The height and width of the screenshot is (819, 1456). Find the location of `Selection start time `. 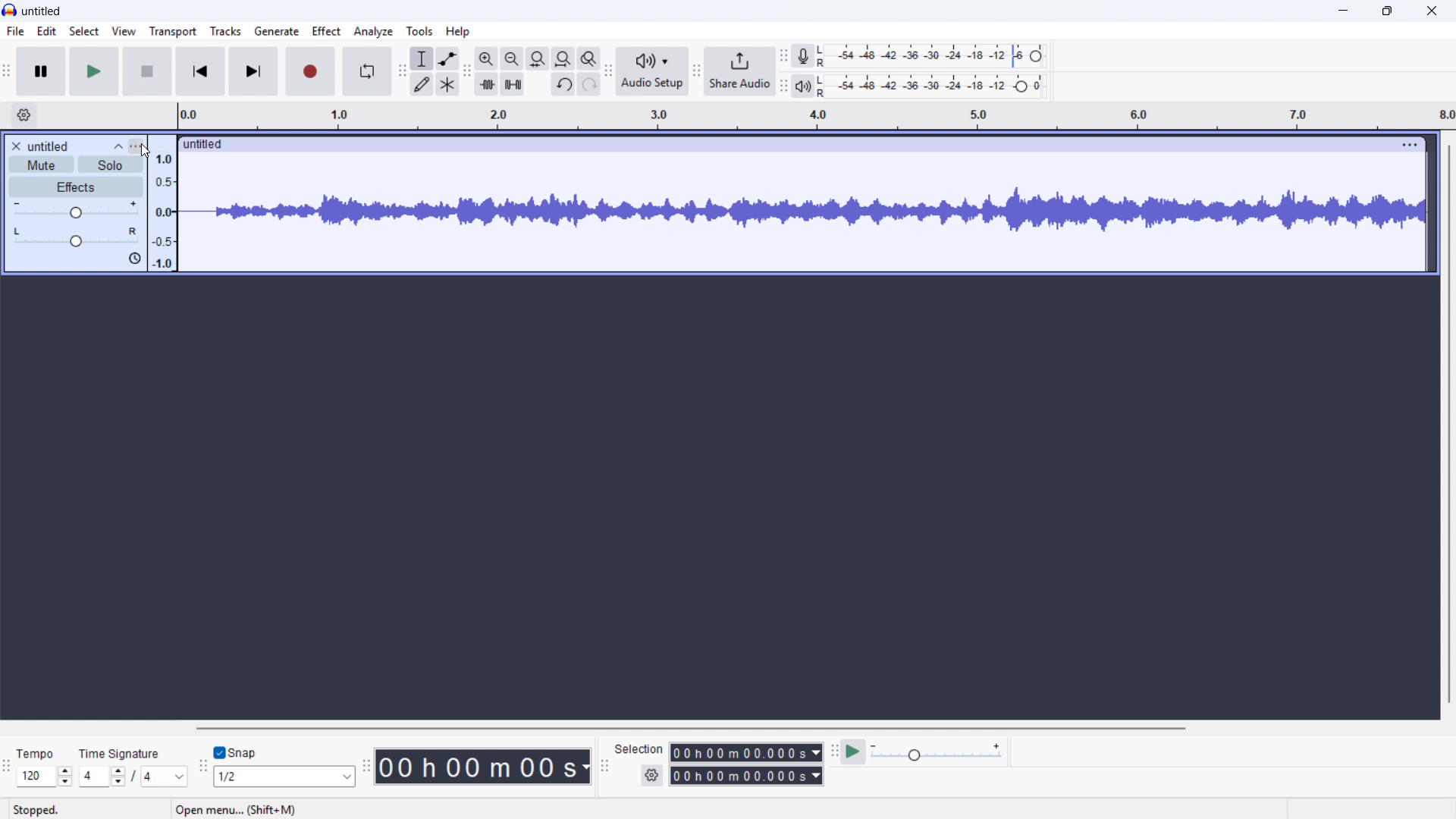

Selection start time  is located at coordinates (747, 753).